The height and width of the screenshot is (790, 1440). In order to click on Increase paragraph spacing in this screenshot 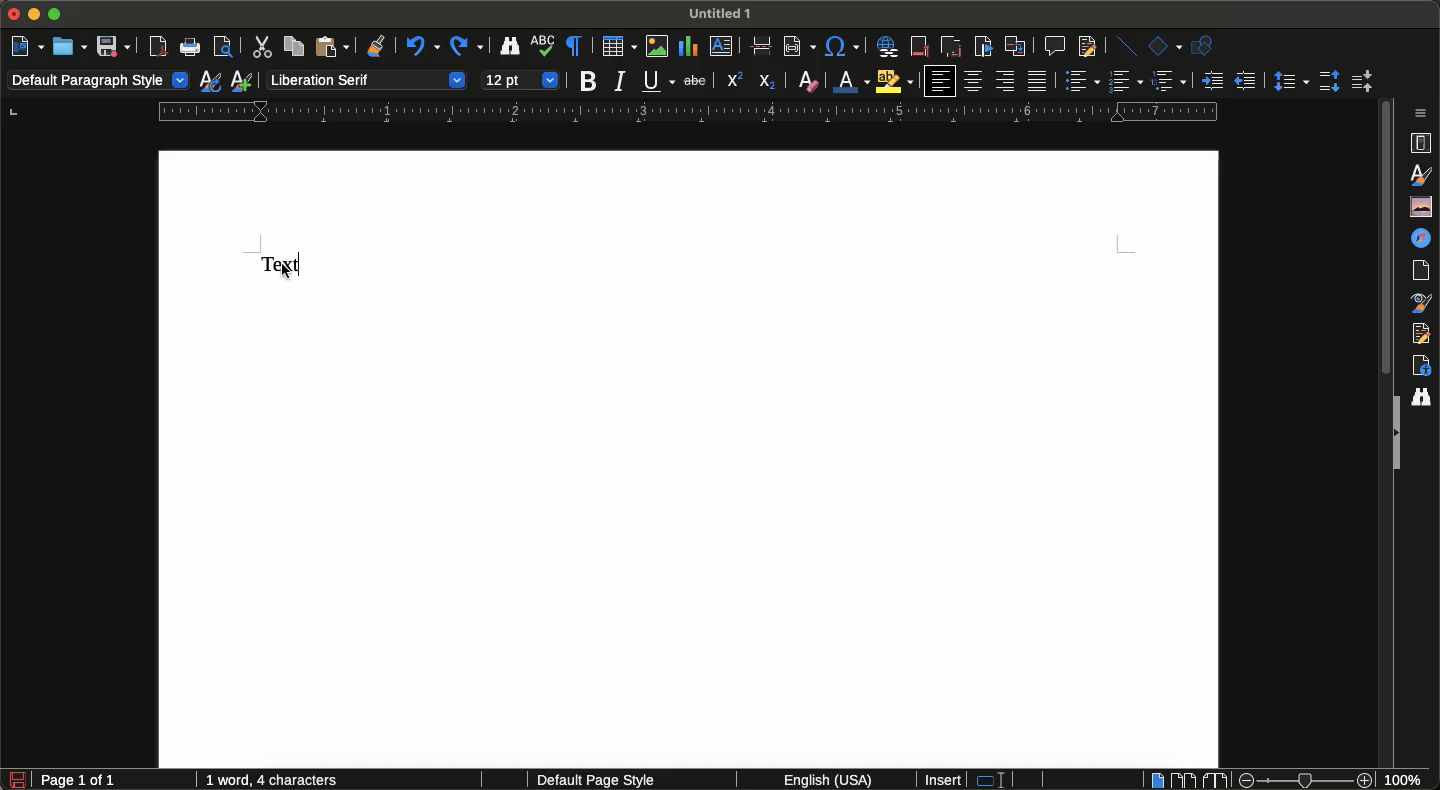, I will do `click(1329, 80)`.